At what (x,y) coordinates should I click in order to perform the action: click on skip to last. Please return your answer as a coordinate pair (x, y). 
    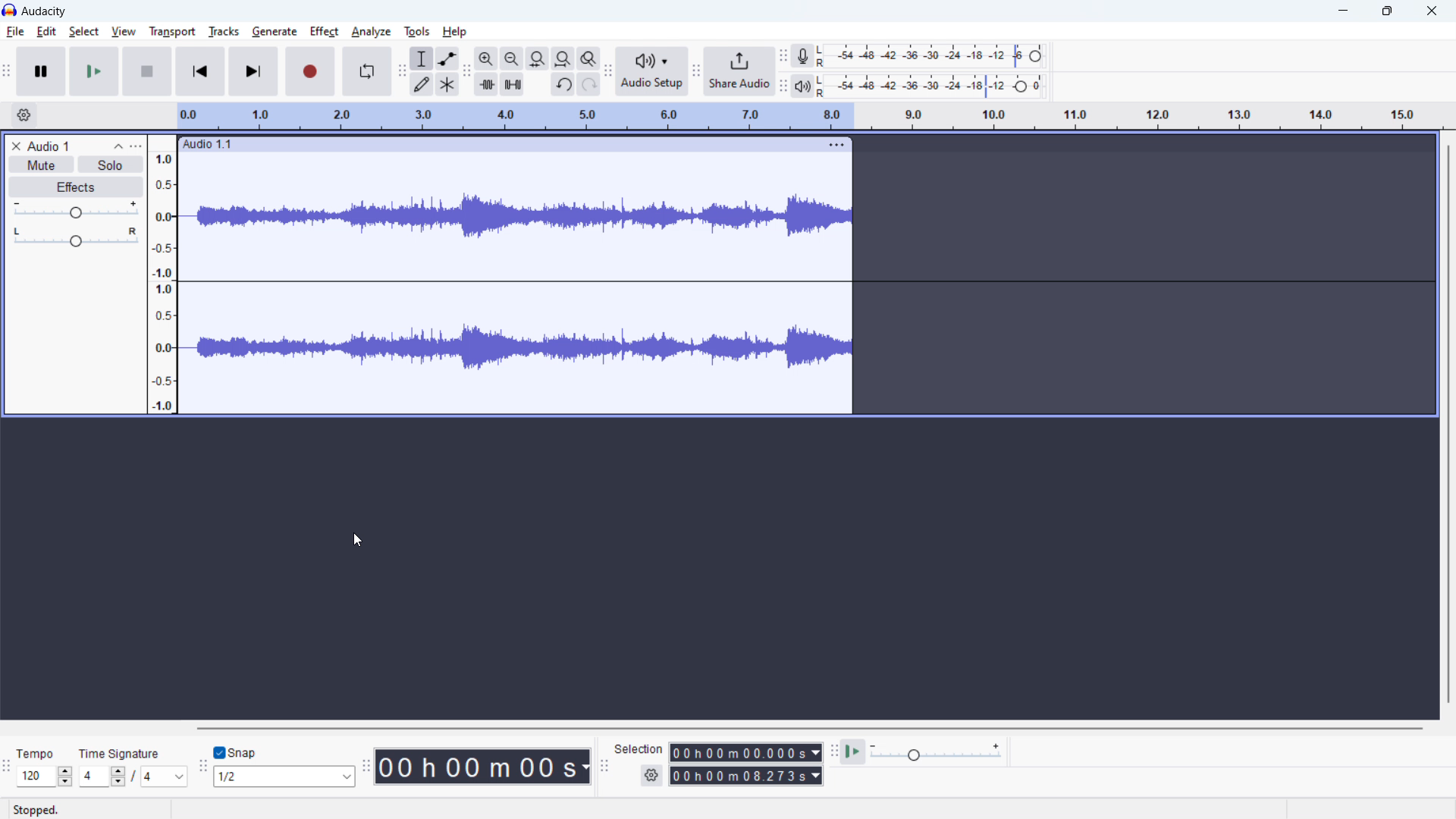
    Looking at the image, I should click on (255, 71).